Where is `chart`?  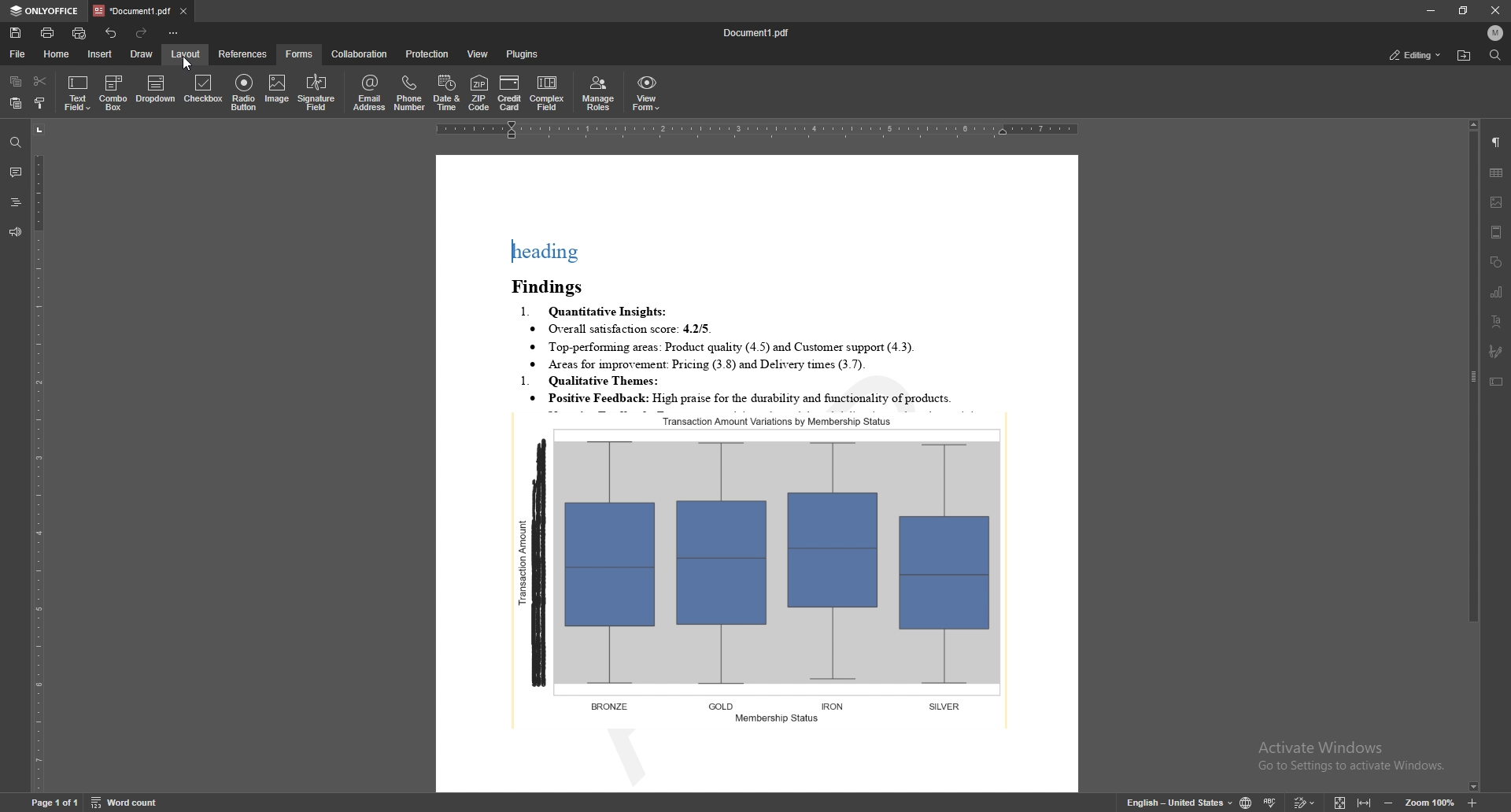 chart is located at coordinates (1497, 292).